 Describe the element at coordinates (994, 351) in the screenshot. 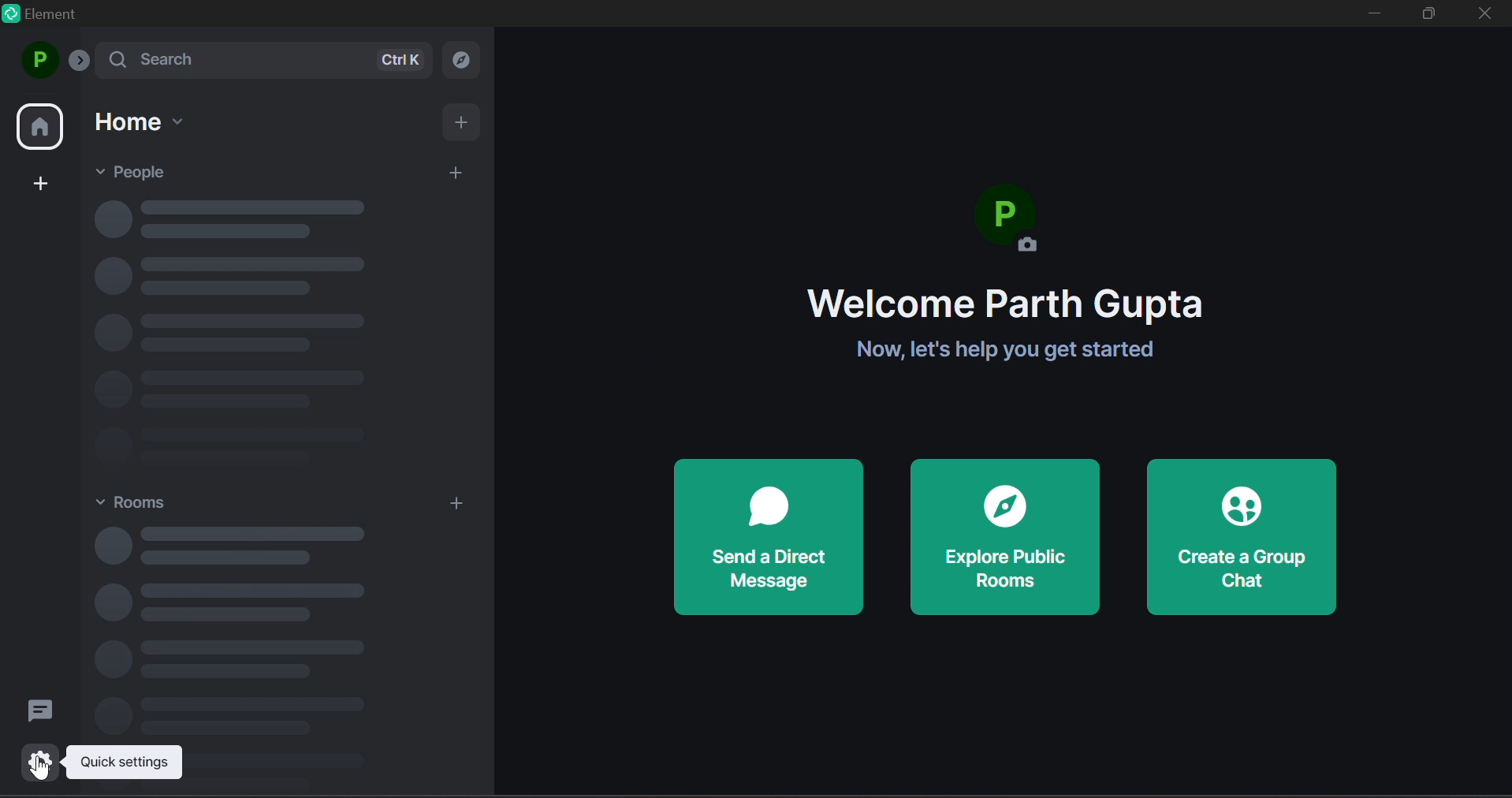

I see `now lets help you get started` at that location.